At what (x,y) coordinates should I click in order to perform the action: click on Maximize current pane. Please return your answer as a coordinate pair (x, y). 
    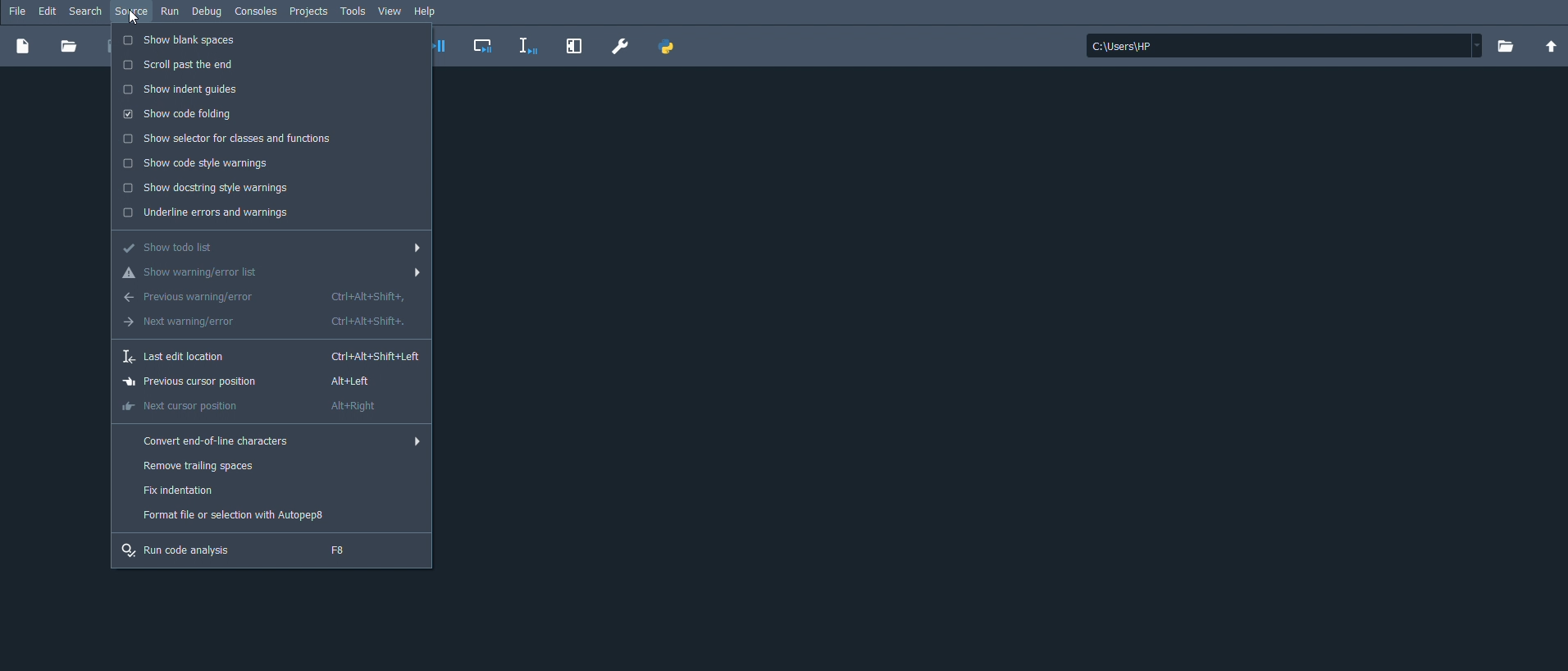
    Looking at the image, I should click on (580, 46).